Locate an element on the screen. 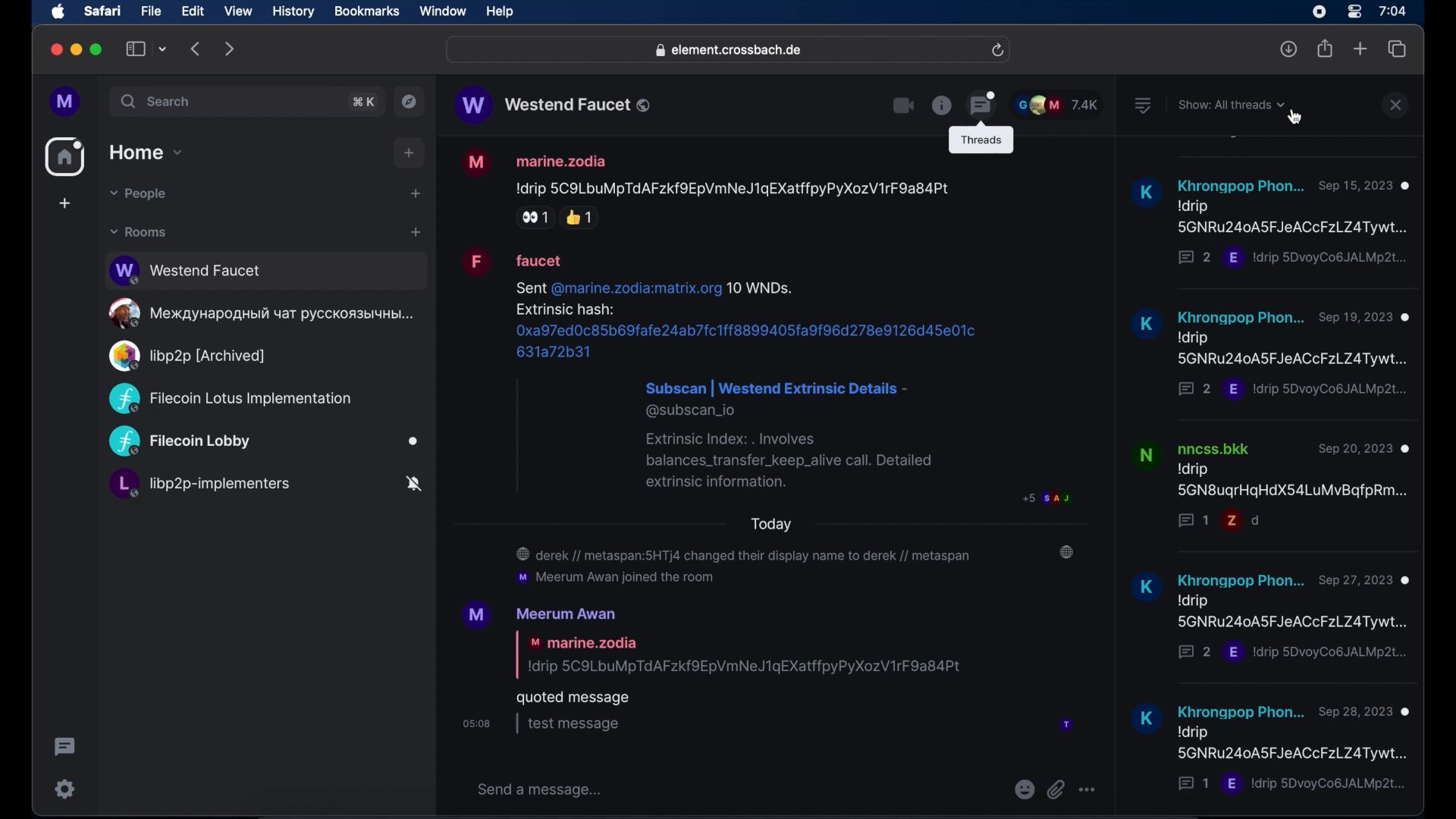 The height and width of the screenshot is (819, 1456). 1 message is located at coordinates (1195, 786).